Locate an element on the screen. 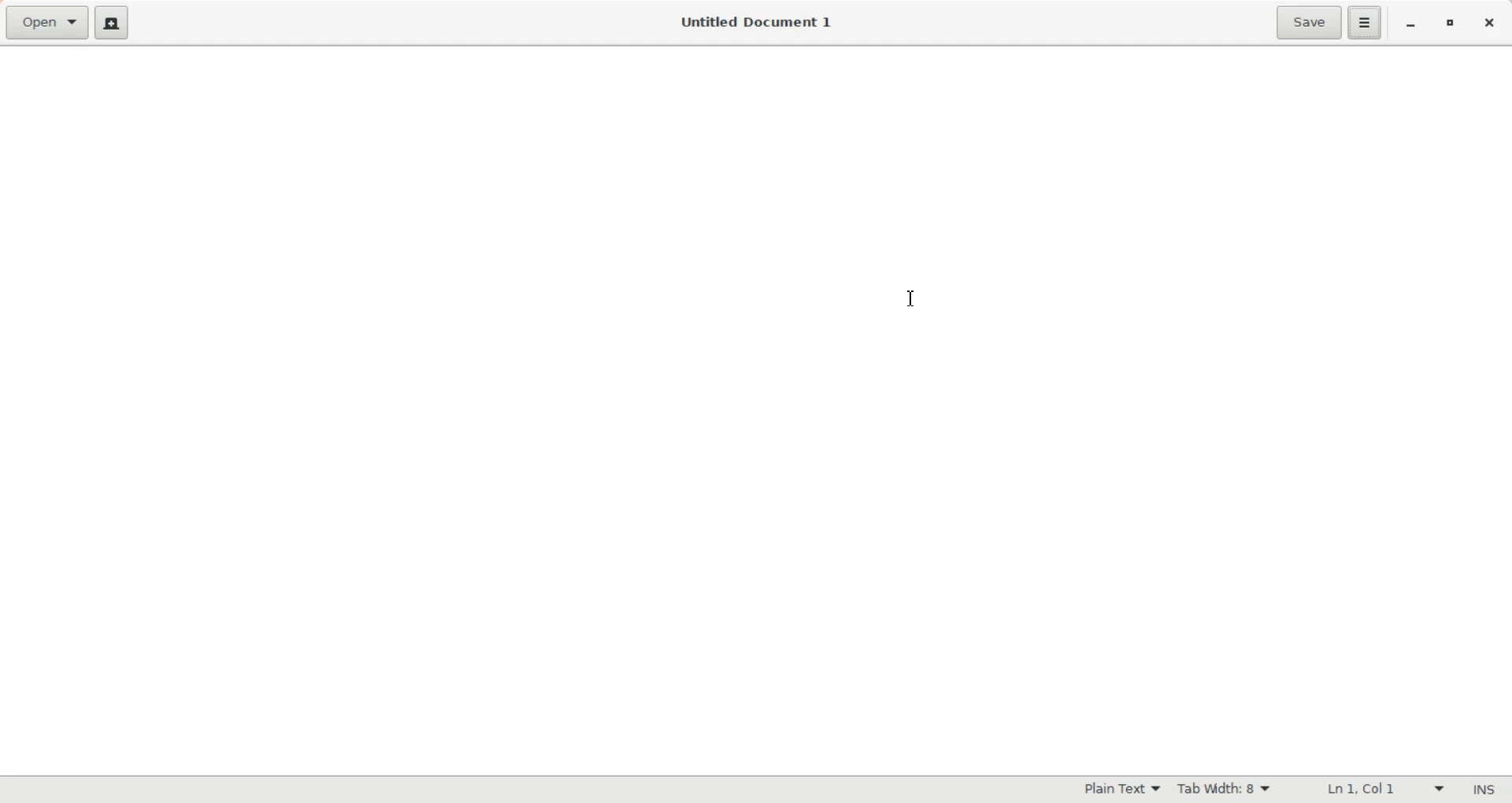 The width and height of the screenshot is (1512, 803). Minimize is located at coordinates (1411, 25).